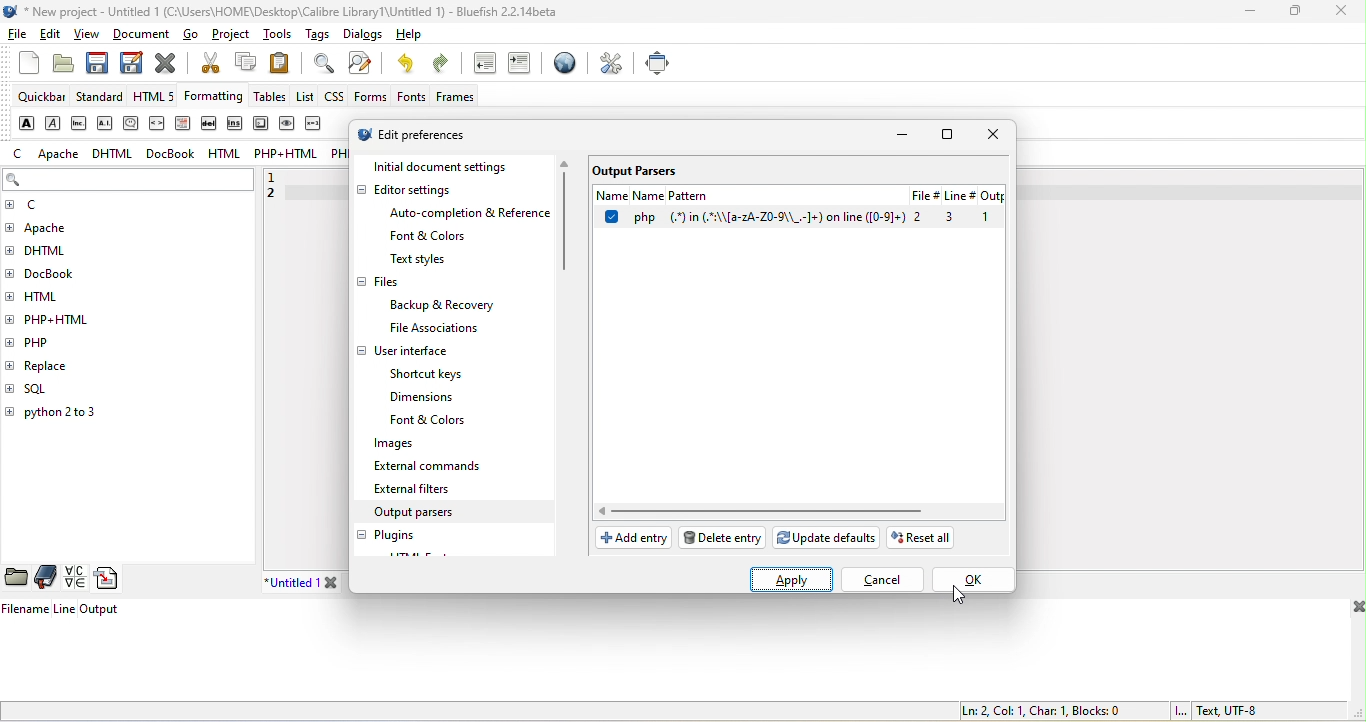  Describe the element at coordinates (275, 35) in the screenshot. I see `tools` at that location.